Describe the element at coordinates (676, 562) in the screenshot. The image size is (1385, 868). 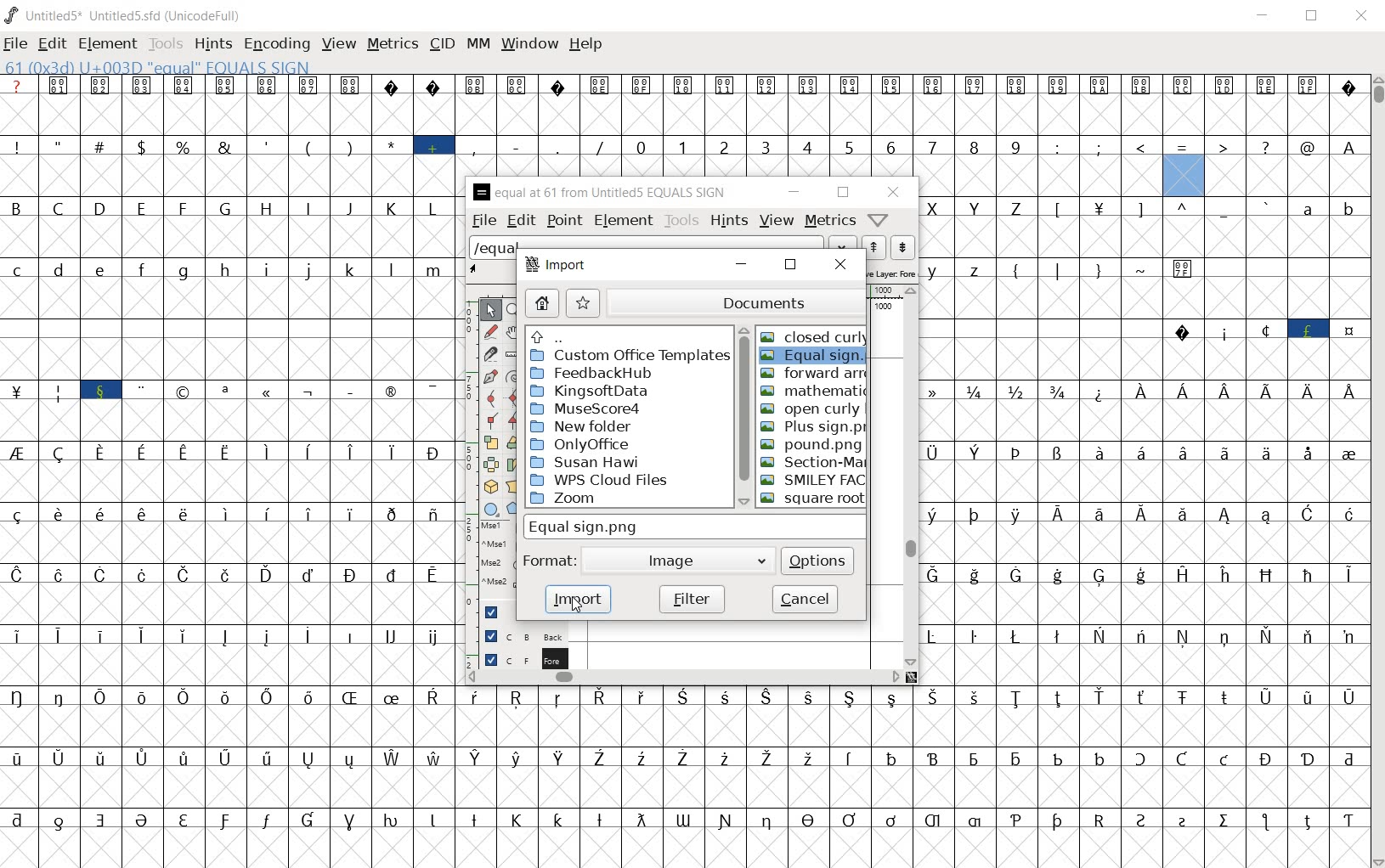
I see `image` at that location.